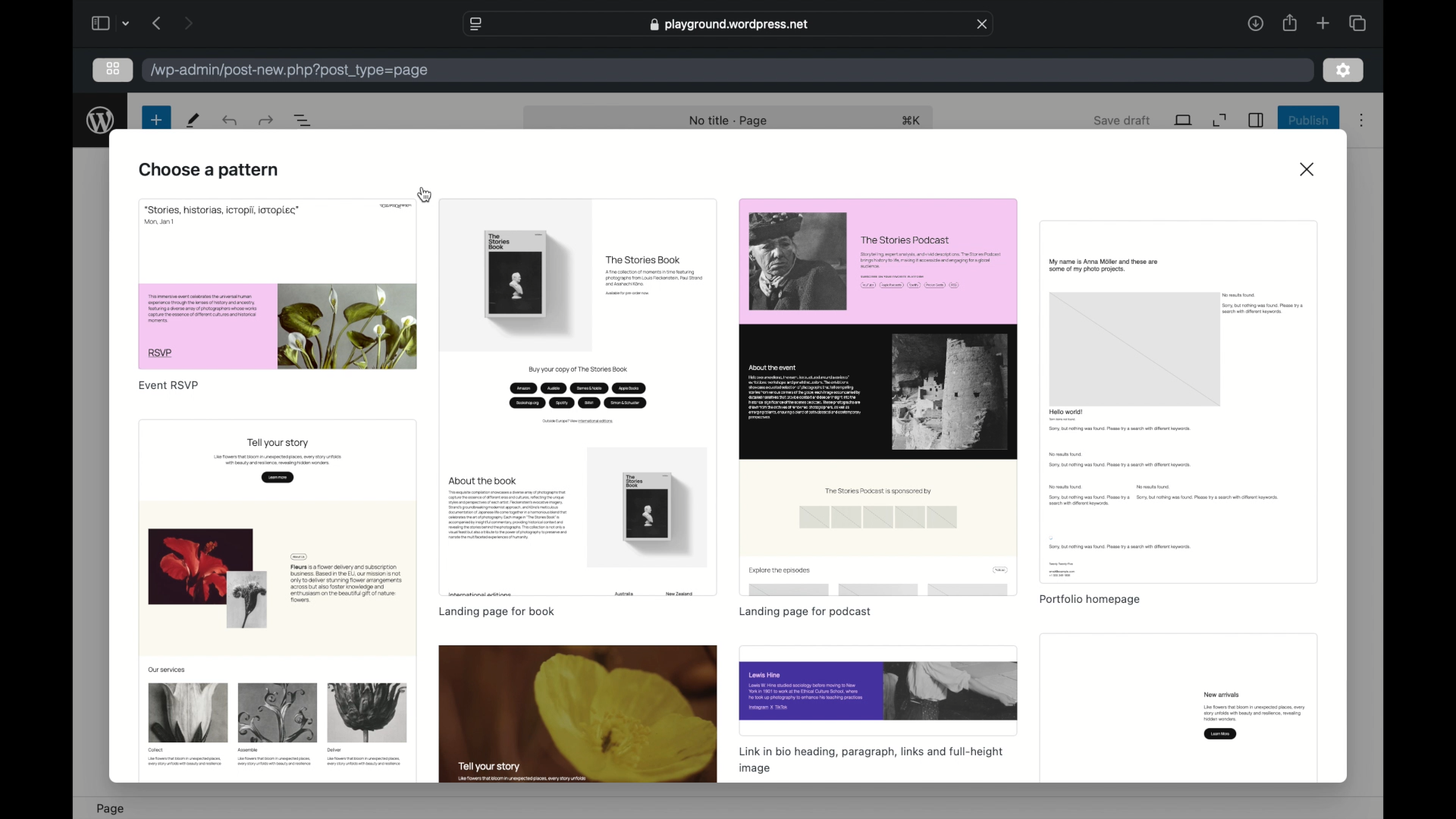  I want to click on template name, so click(1090, 601).